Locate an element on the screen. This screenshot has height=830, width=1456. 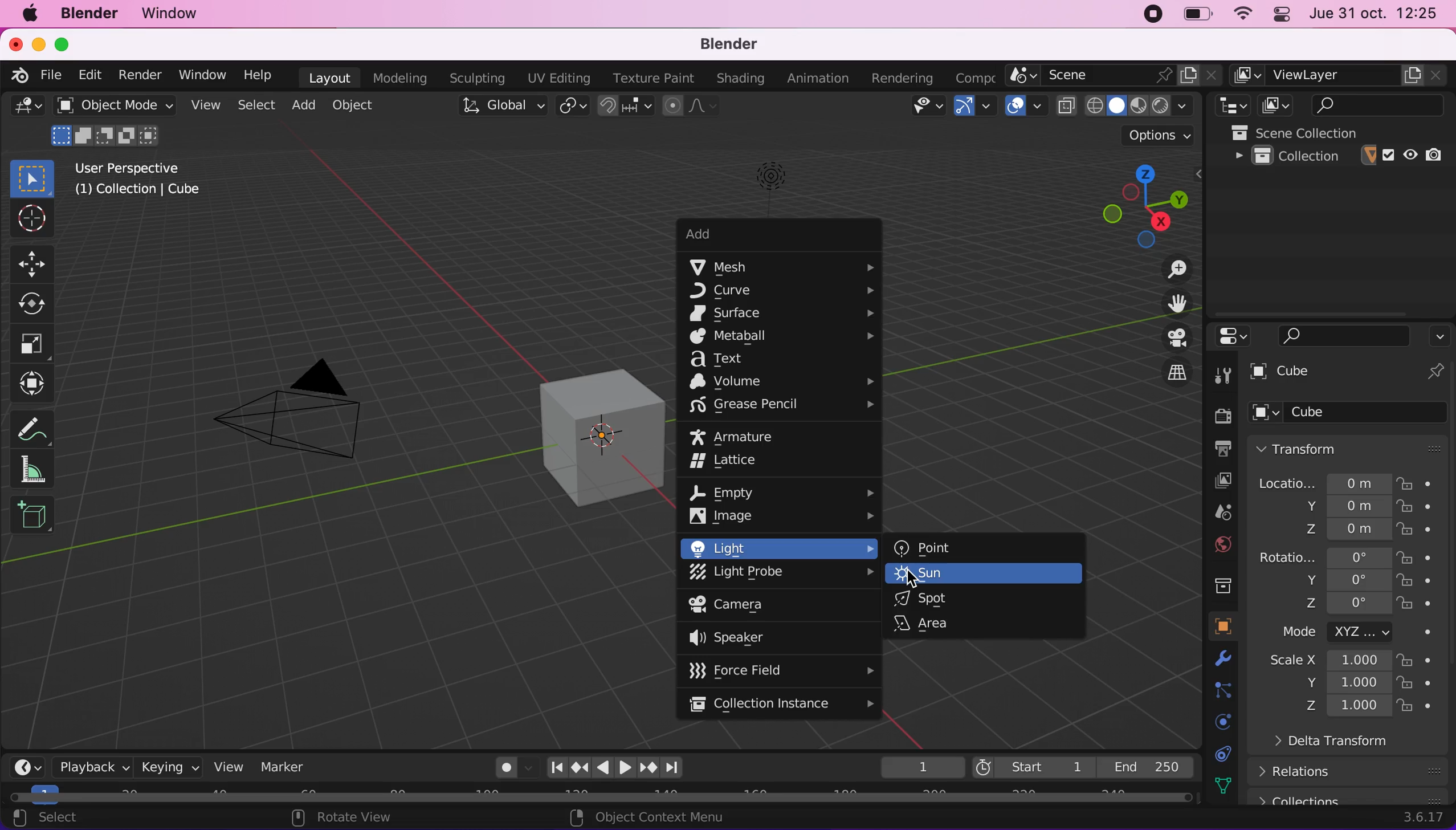
sculpting is located at coordinates (476, 79).